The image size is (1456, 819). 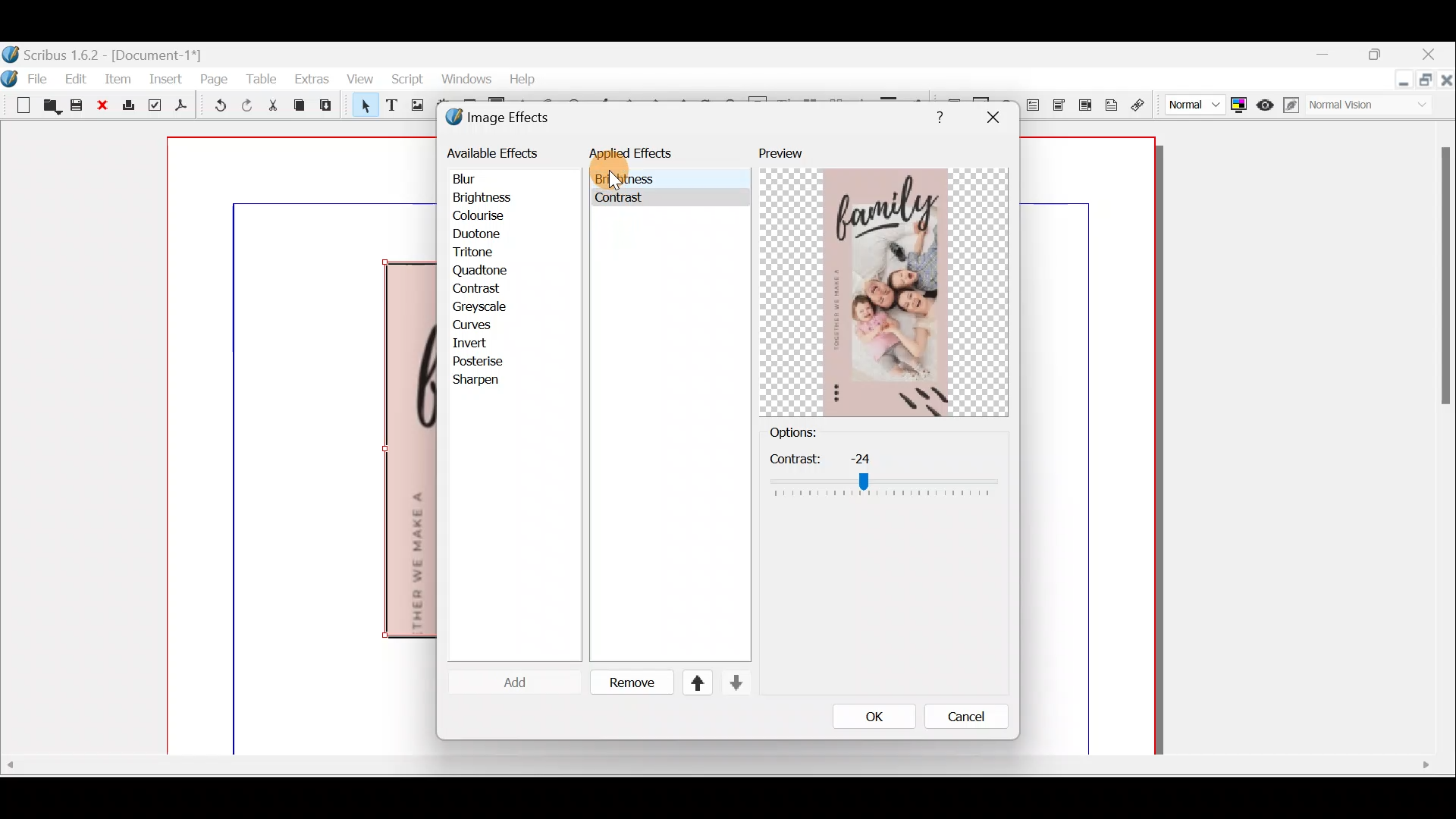 I want to click on brightness, so click(x=623, y=178).